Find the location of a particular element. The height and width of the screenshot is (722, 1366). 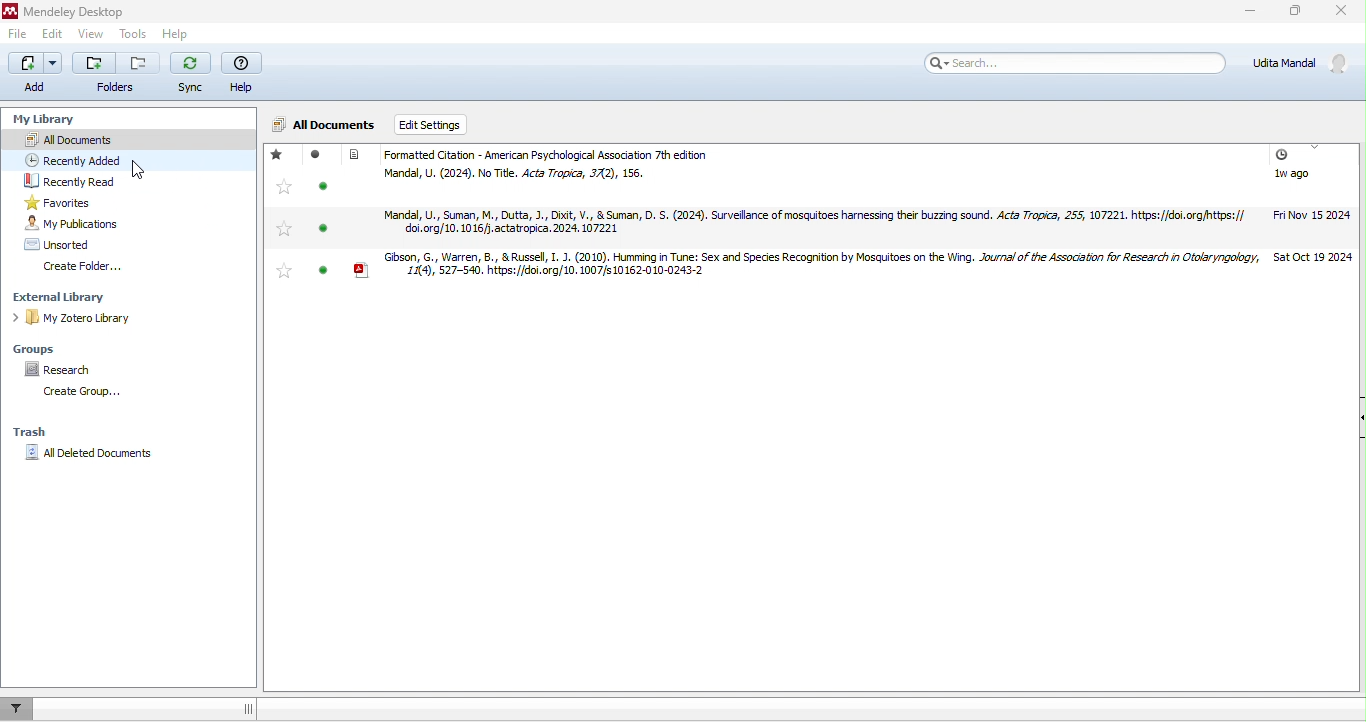

ropdown is located at coordinates (1315, 152).